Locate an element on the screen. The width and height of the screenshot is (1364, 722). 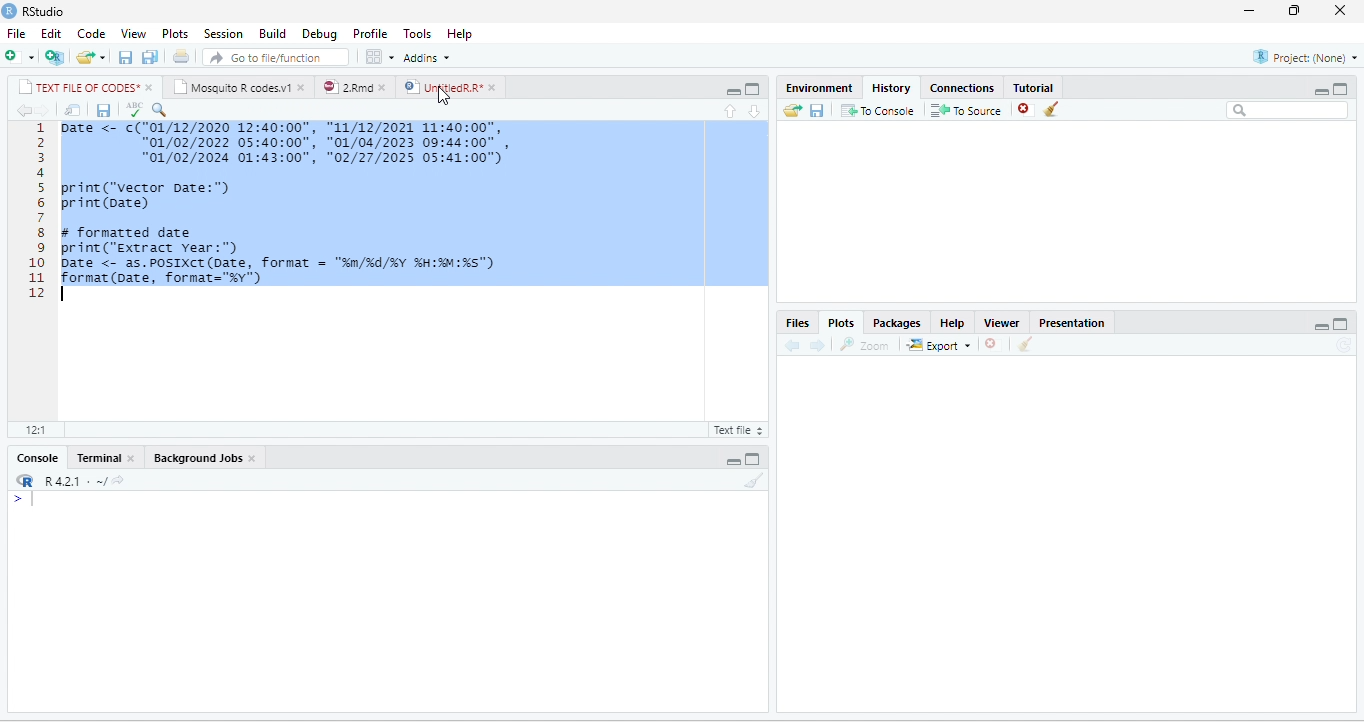
1 Date <- c( "01/12/2020 12:40:00" , "11/12/2021 11:40:00" , “01/02/2022 05:40:00", "01/04/2023 09:44:00" , "01/02/2024 01:43:00", "02/27/2025 05:41:00") is located at coordinates (290, 143).